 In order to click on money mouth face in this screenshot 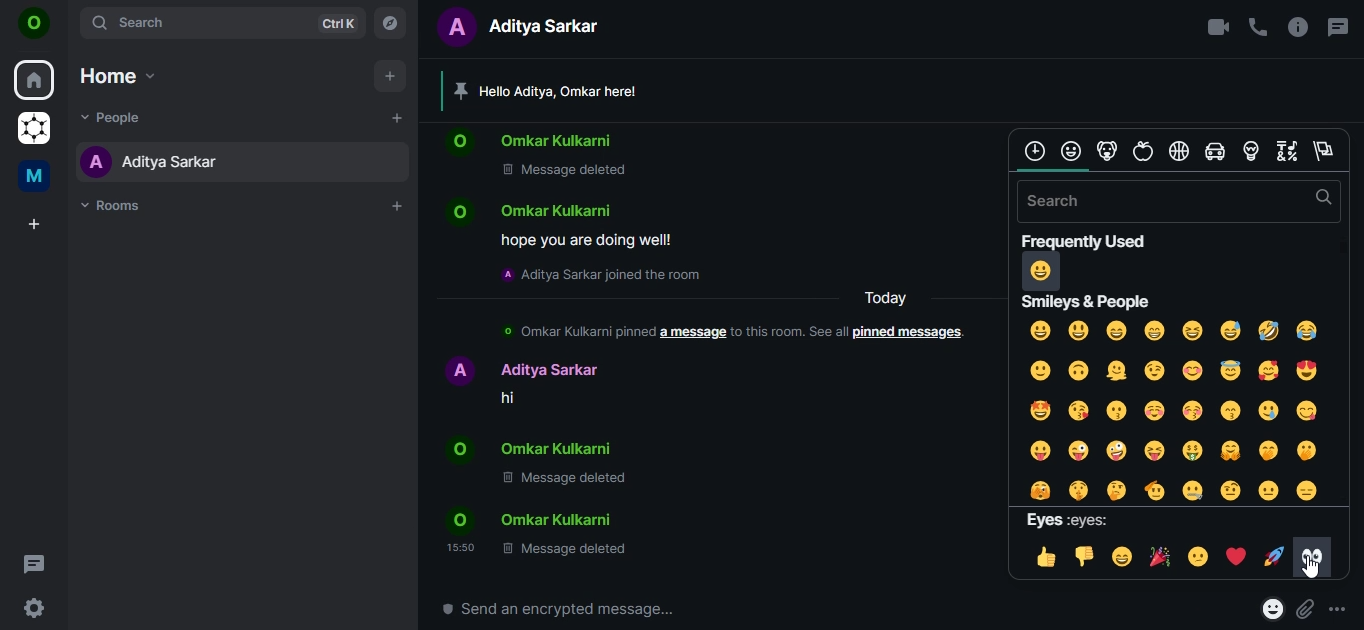, I will do `click(1194, 450)`.